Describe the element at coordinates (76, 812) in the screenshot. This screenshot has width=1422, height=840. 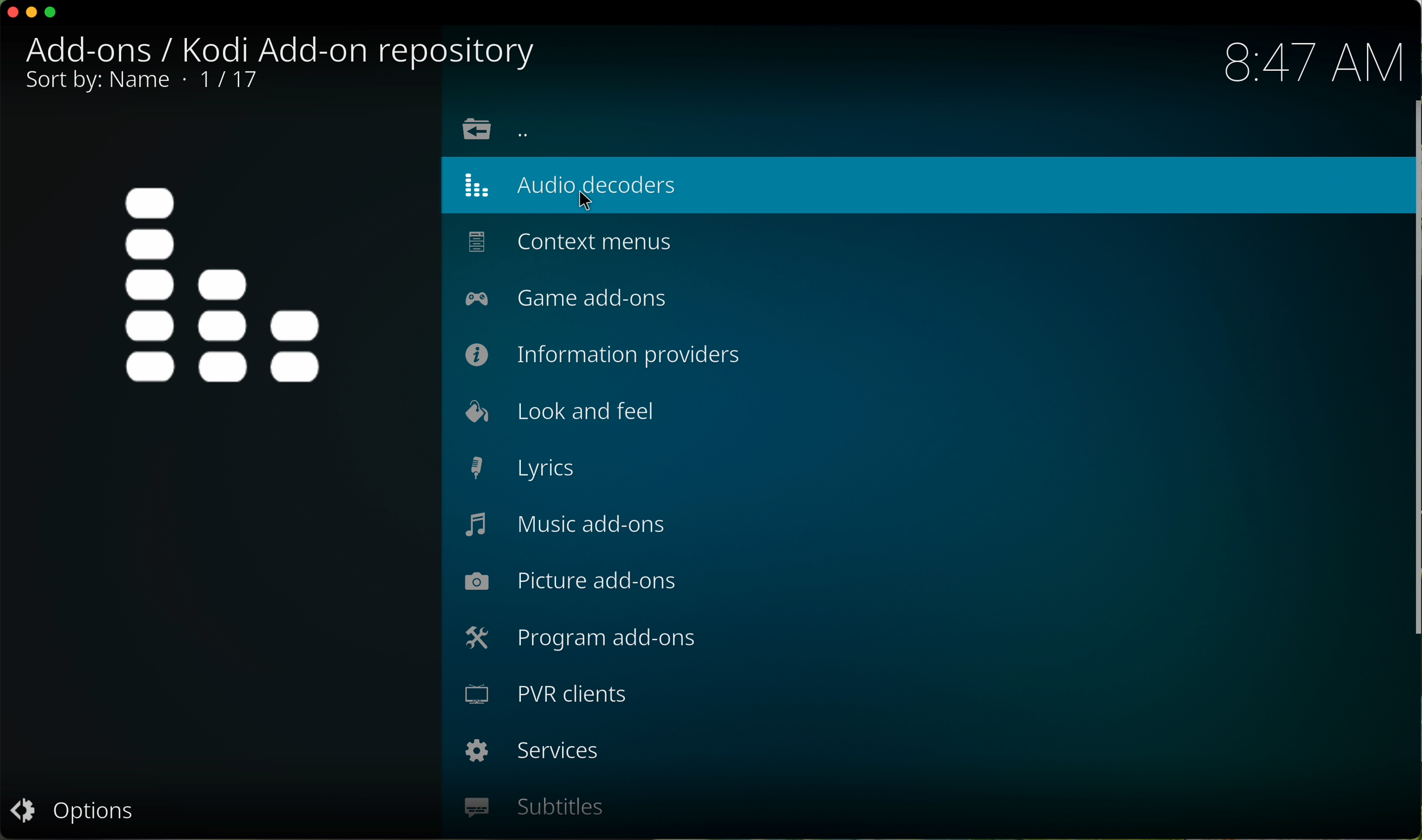
I see `options` at that location.